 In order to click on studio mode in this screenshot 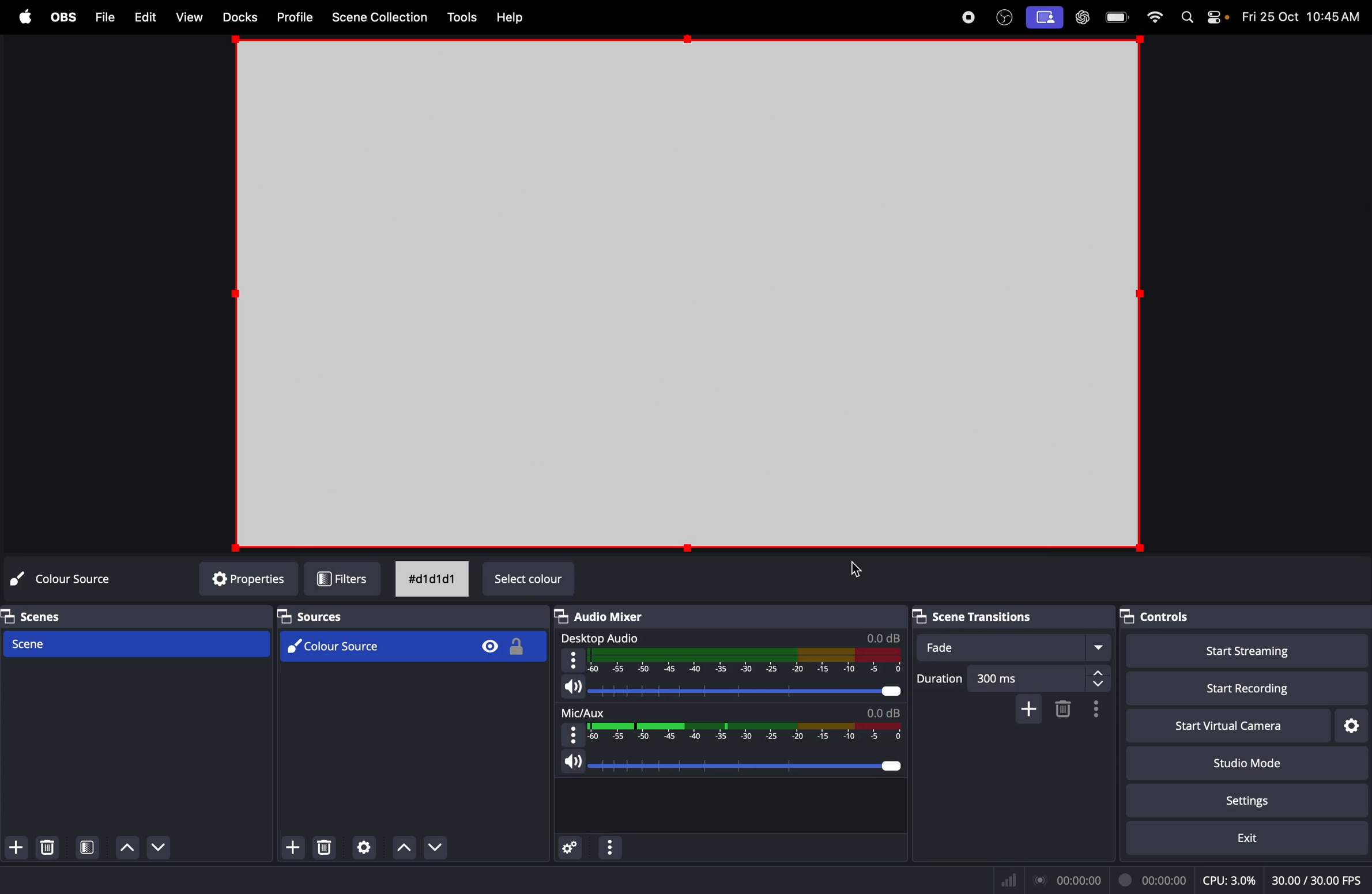, I will do `click(1243, 761)`.